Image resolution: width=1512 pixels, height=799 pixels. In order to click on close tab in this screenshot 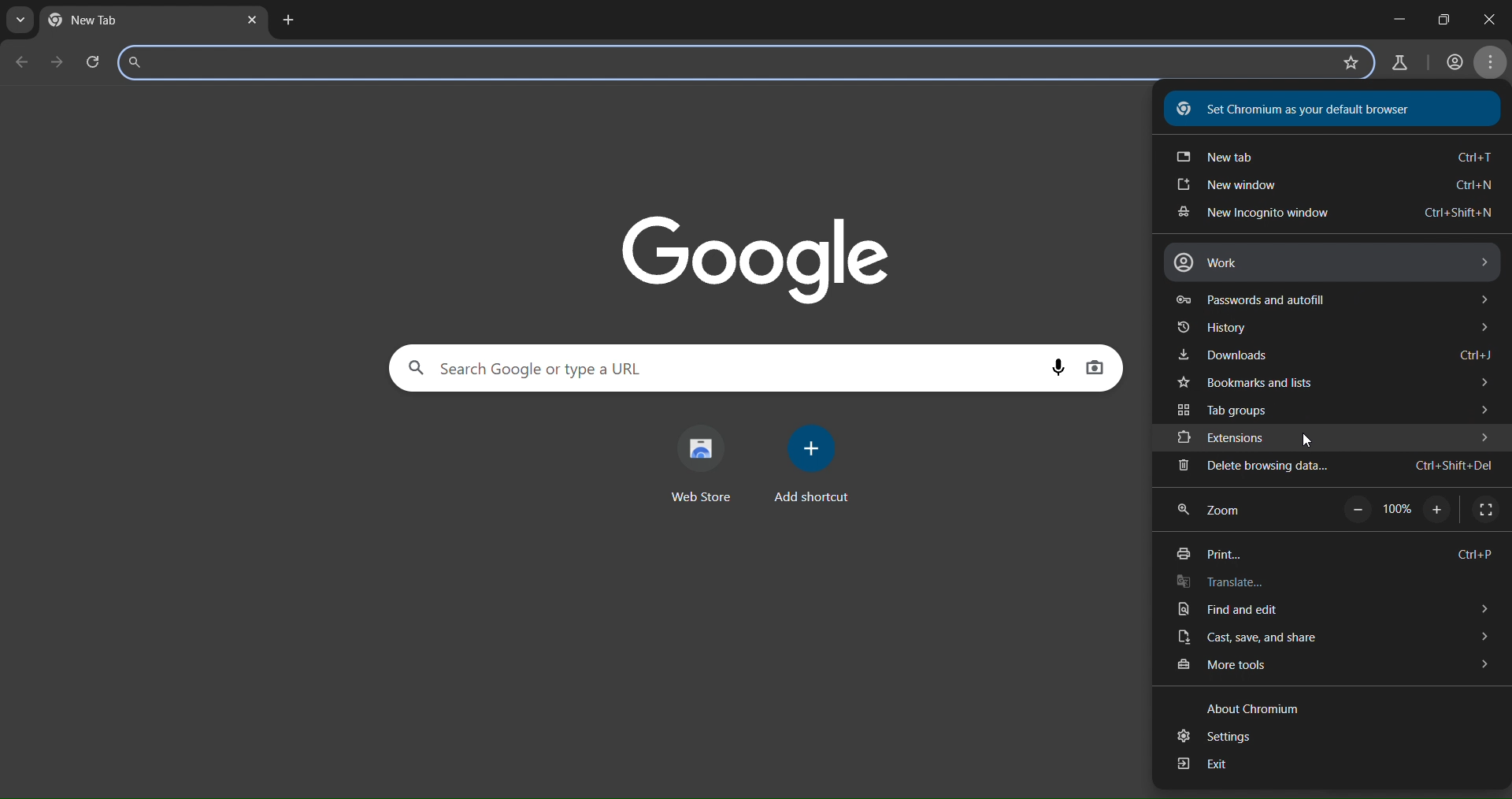, I will do `click(252, 20)`.